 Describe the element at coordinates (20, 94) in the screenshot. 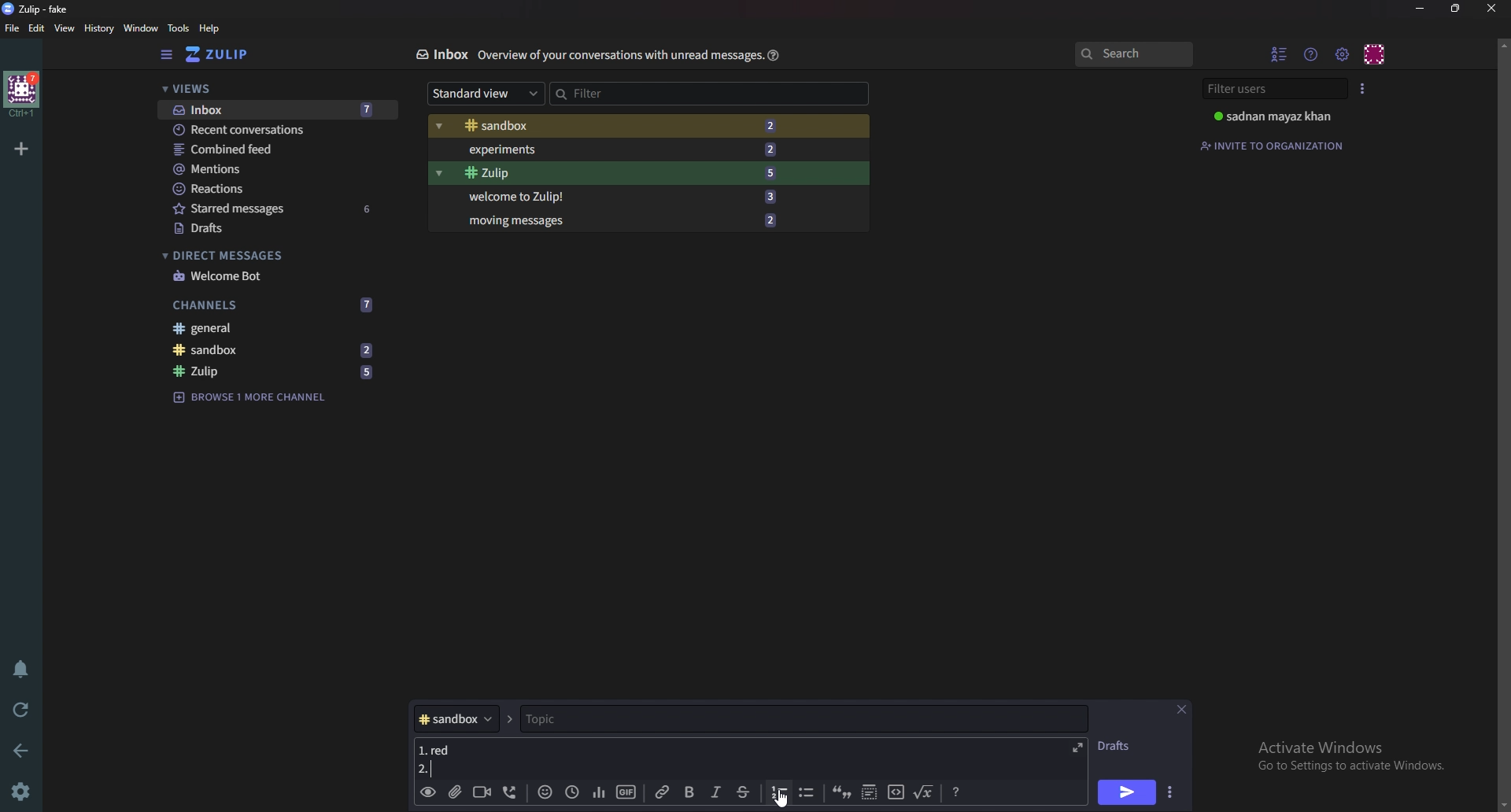

I see `home` at that location.